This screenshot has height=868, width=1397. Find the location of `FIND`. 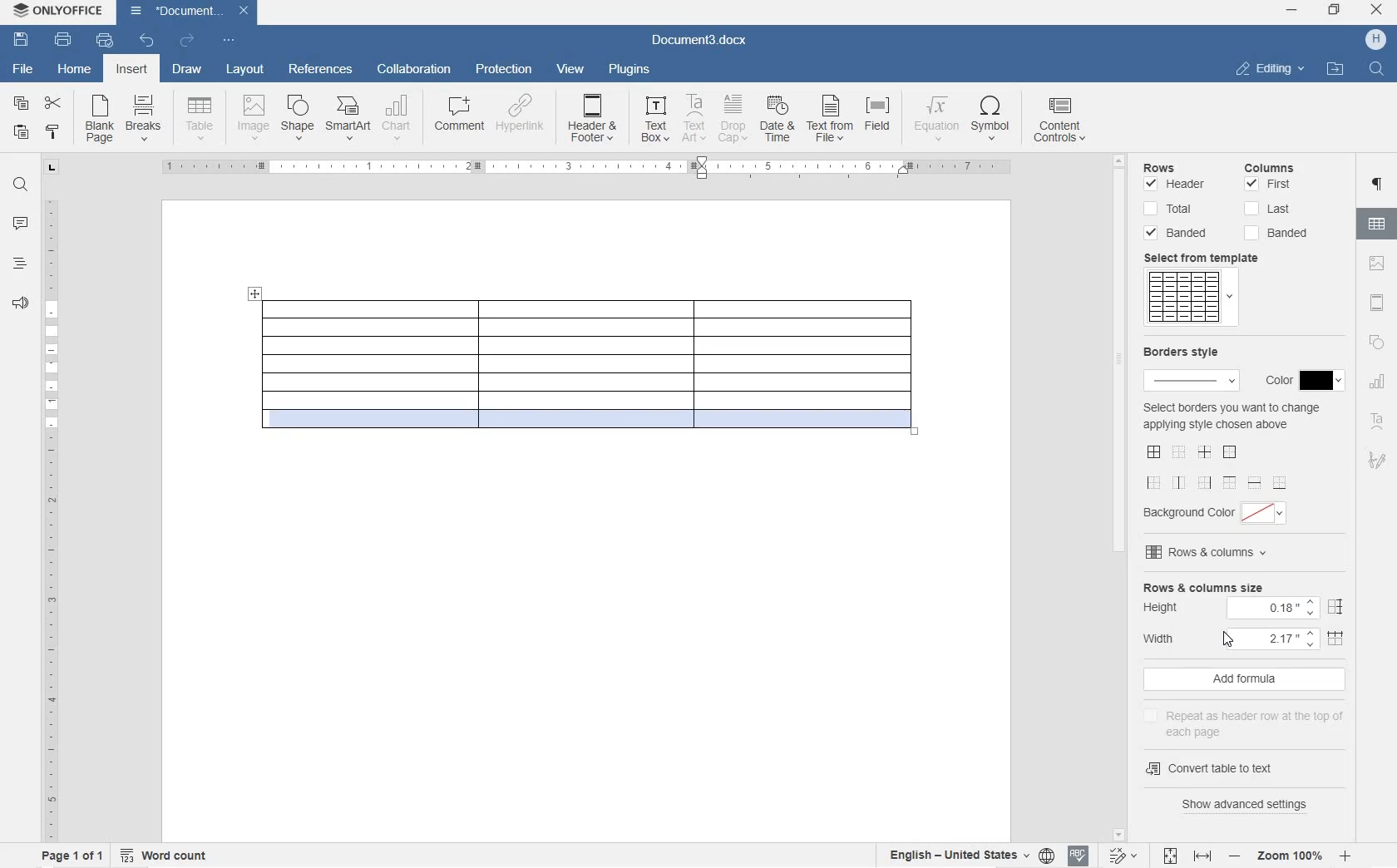

FIND is located at coordinates (20, 187).